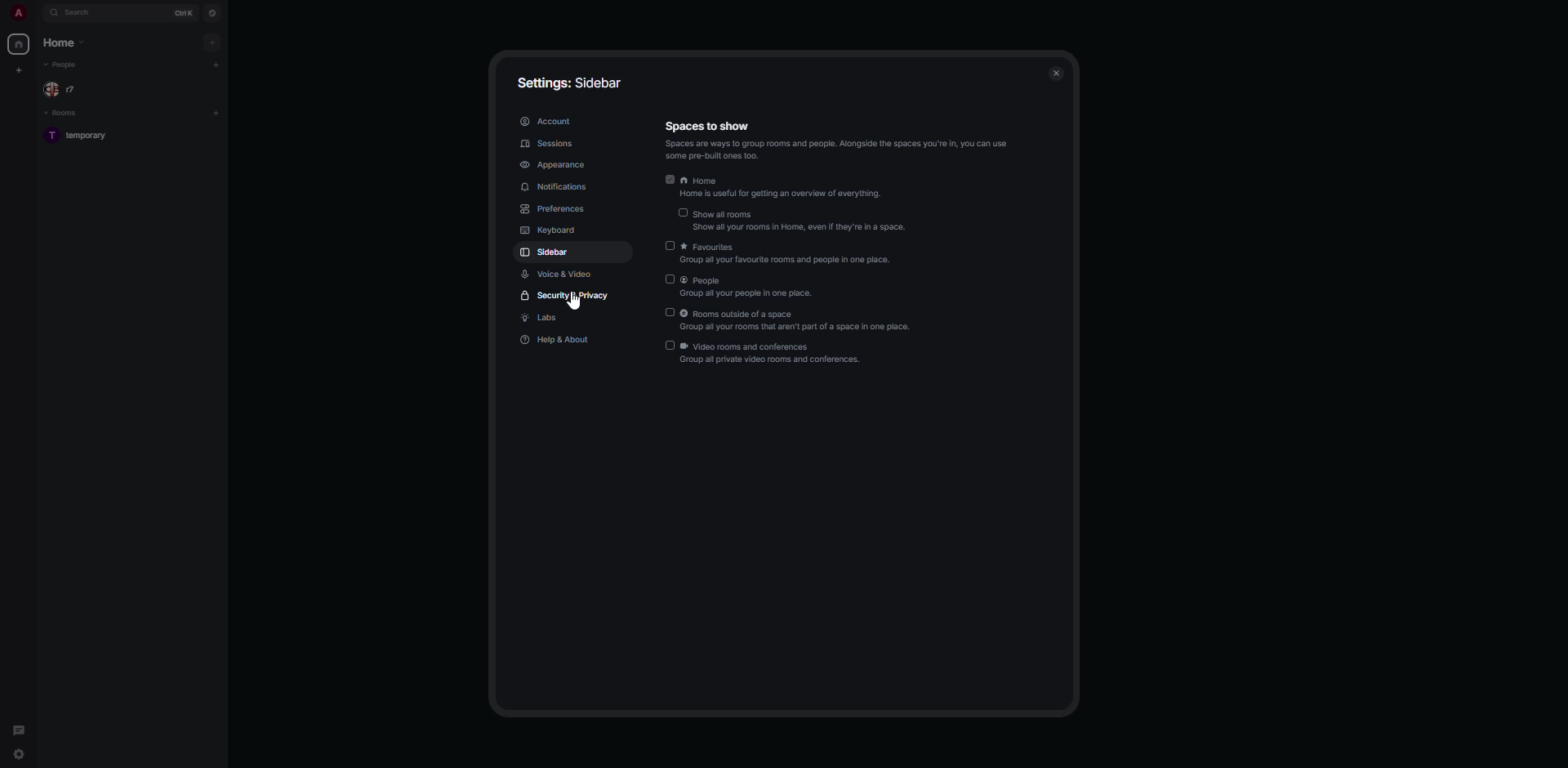  Describe the element at coordinates (546, 122) in the screenshot. I see `account` at that location.